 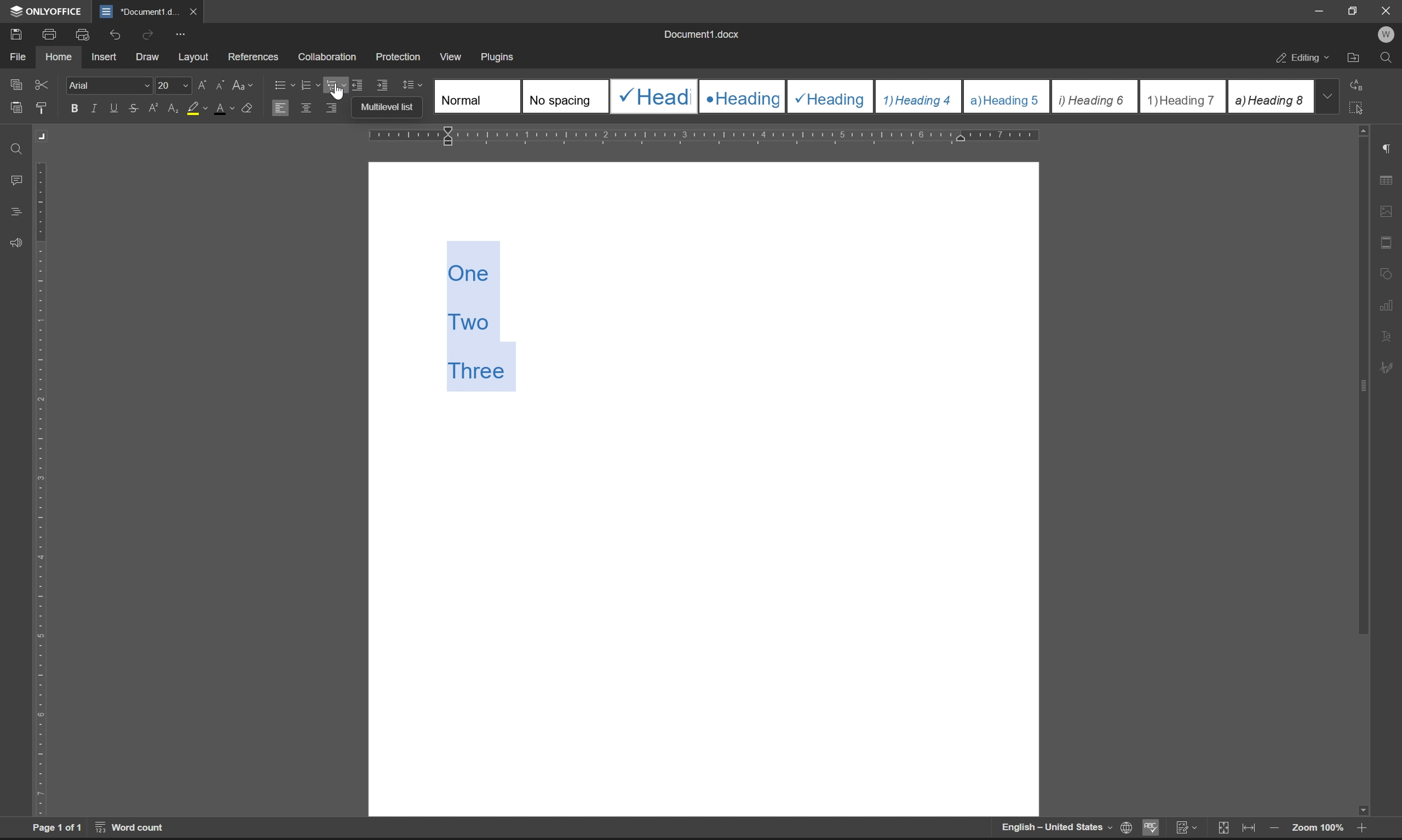 I want to click on font color, so click(x=225, y=108).